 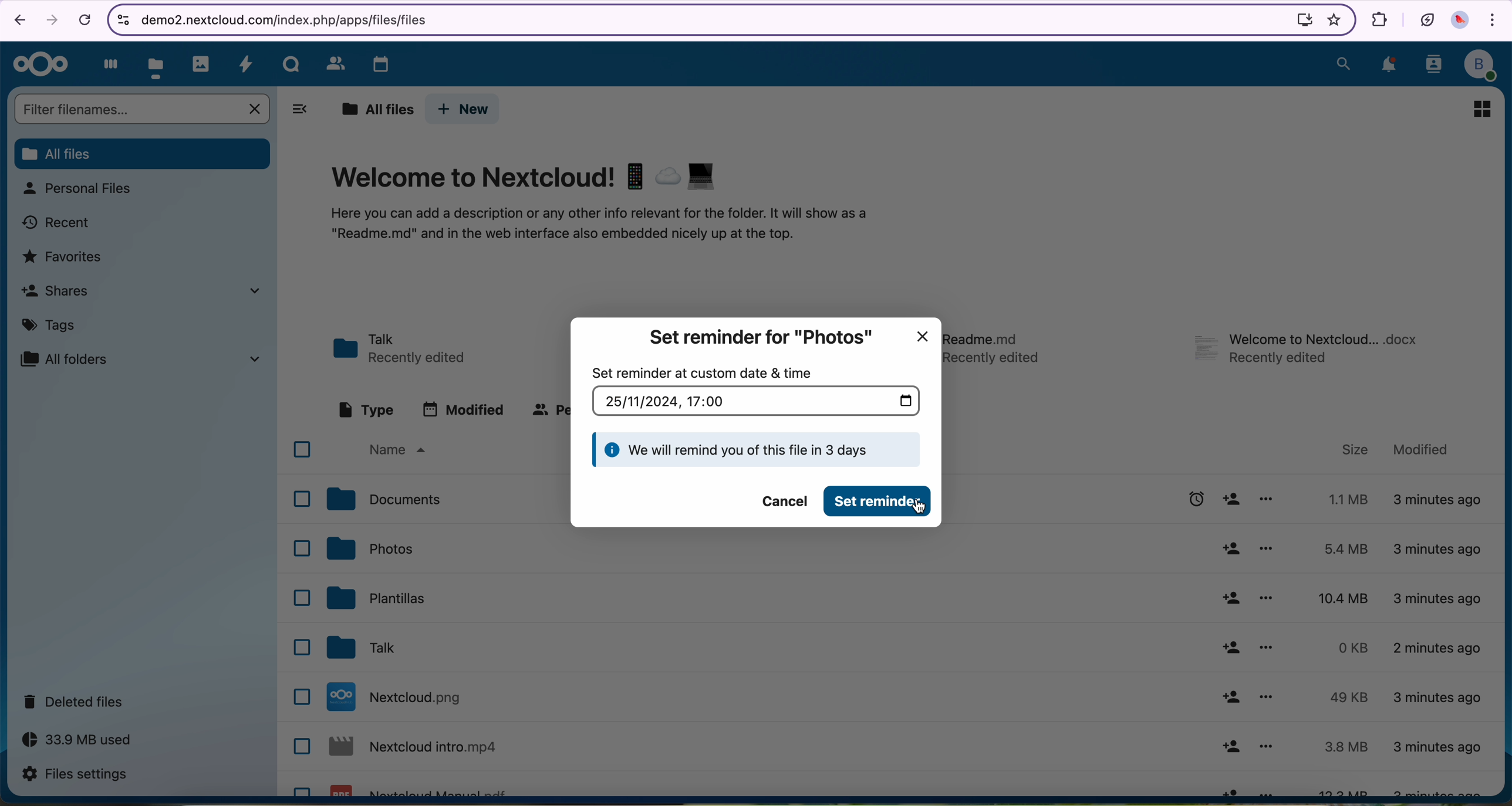 I want to click on 13.3, so click(x=1346, y=789).